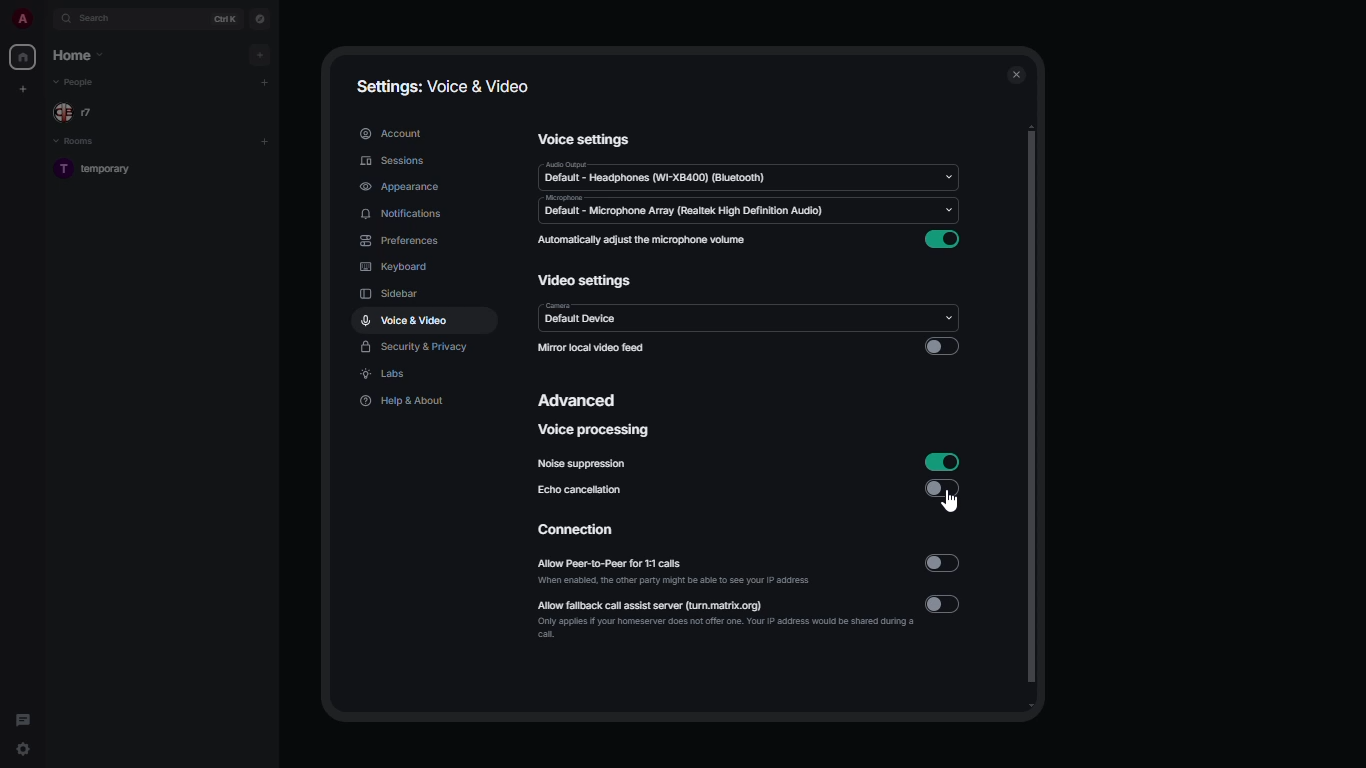 The image size is (1366, 768). I want to click on scroll bar, so click(1038, 418).